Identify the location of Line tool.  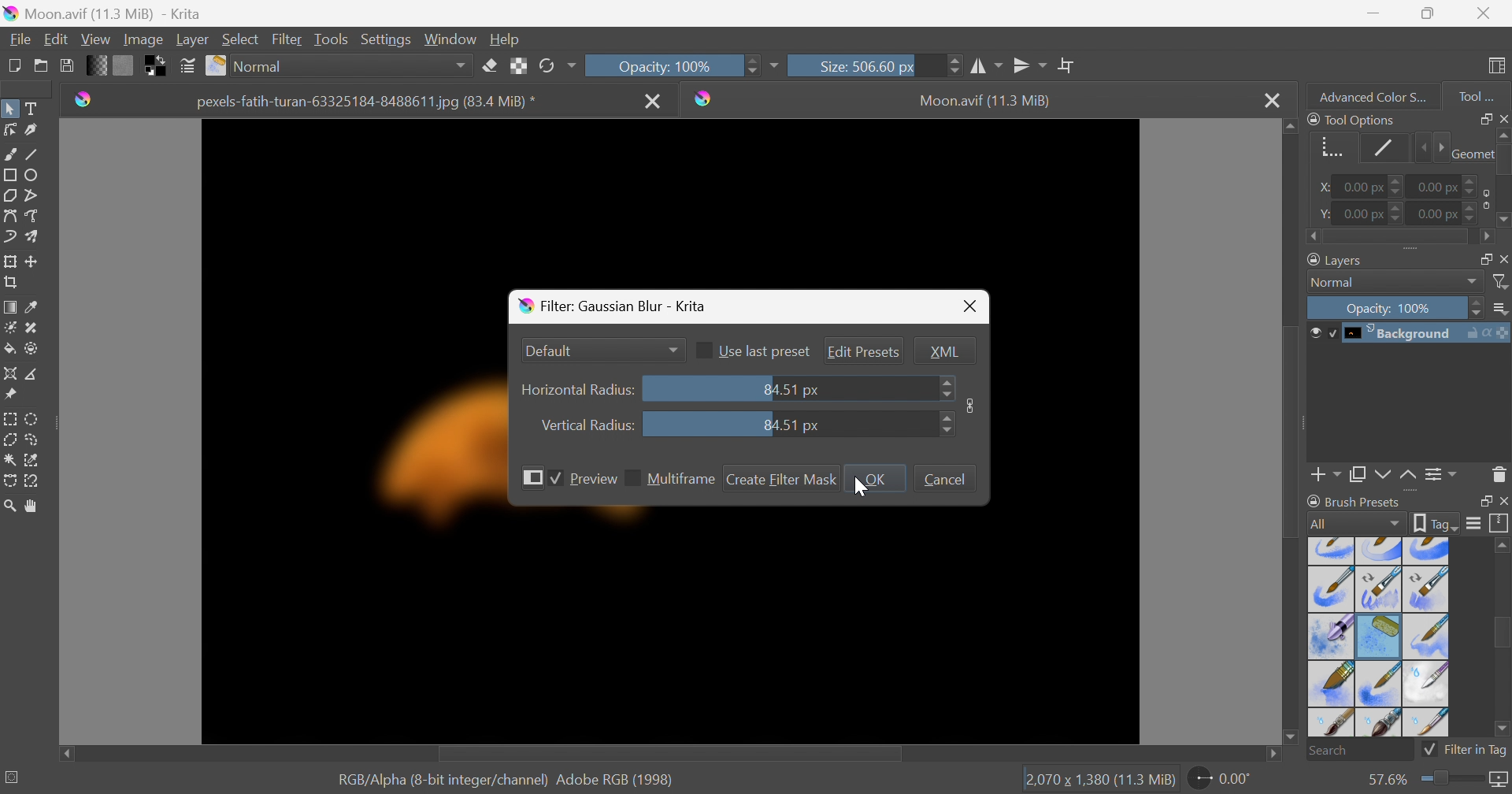
(32, 150).